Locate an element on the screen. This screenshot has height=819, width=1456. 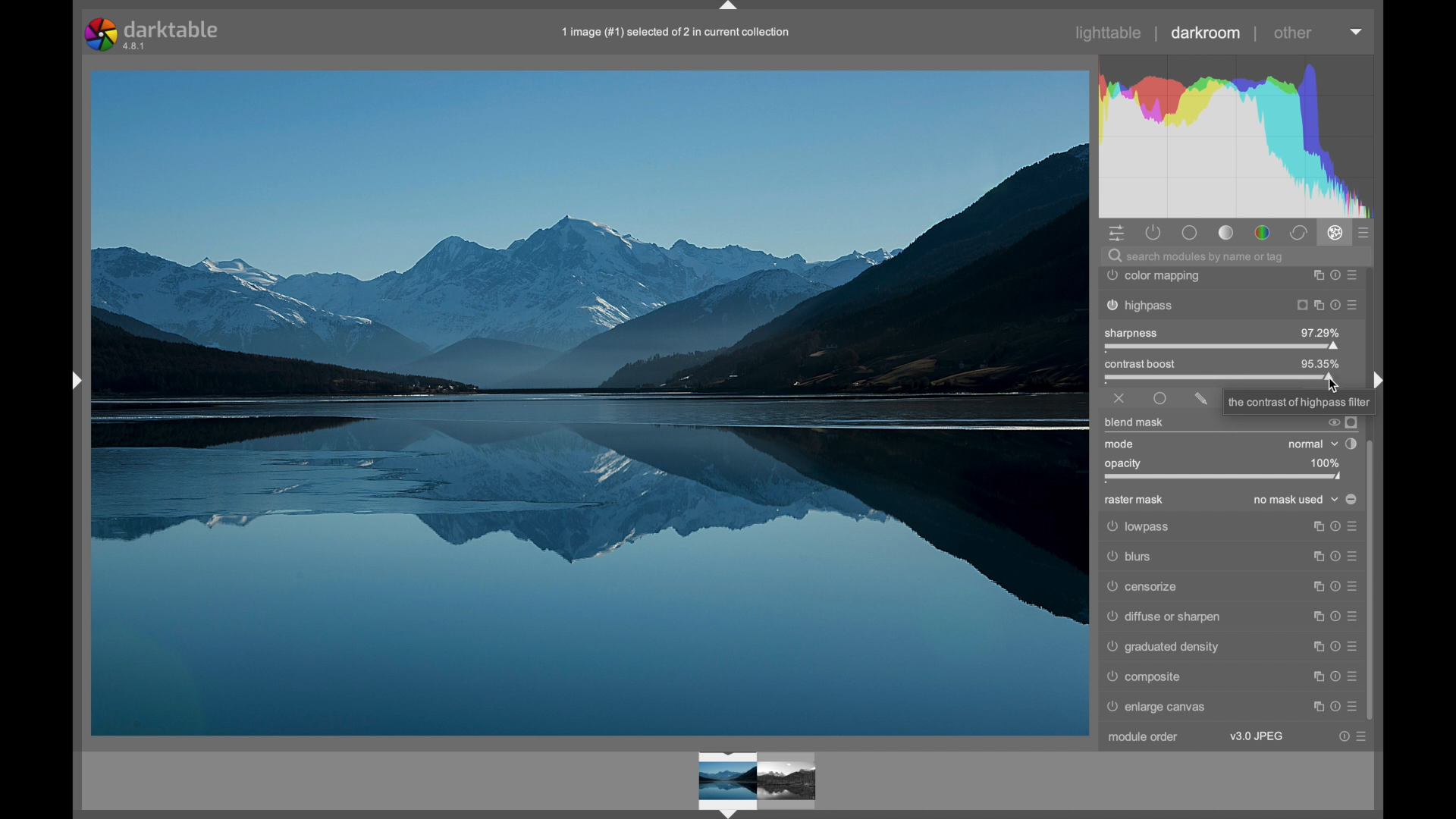
photo  effect is located at coordinates (590, 404).